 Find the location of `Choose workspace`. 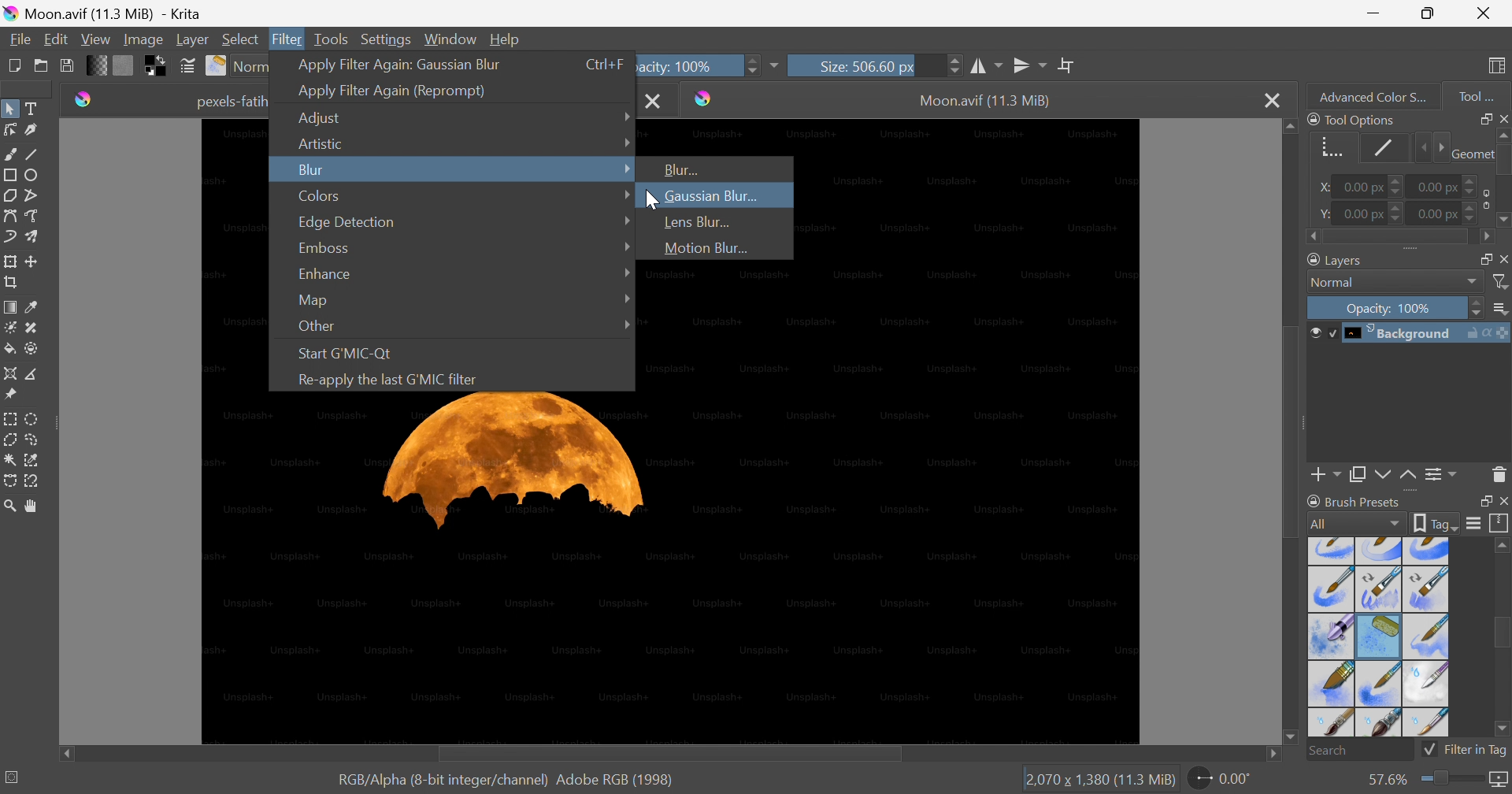

Choose workspace is located at coordinates (1499, 68).